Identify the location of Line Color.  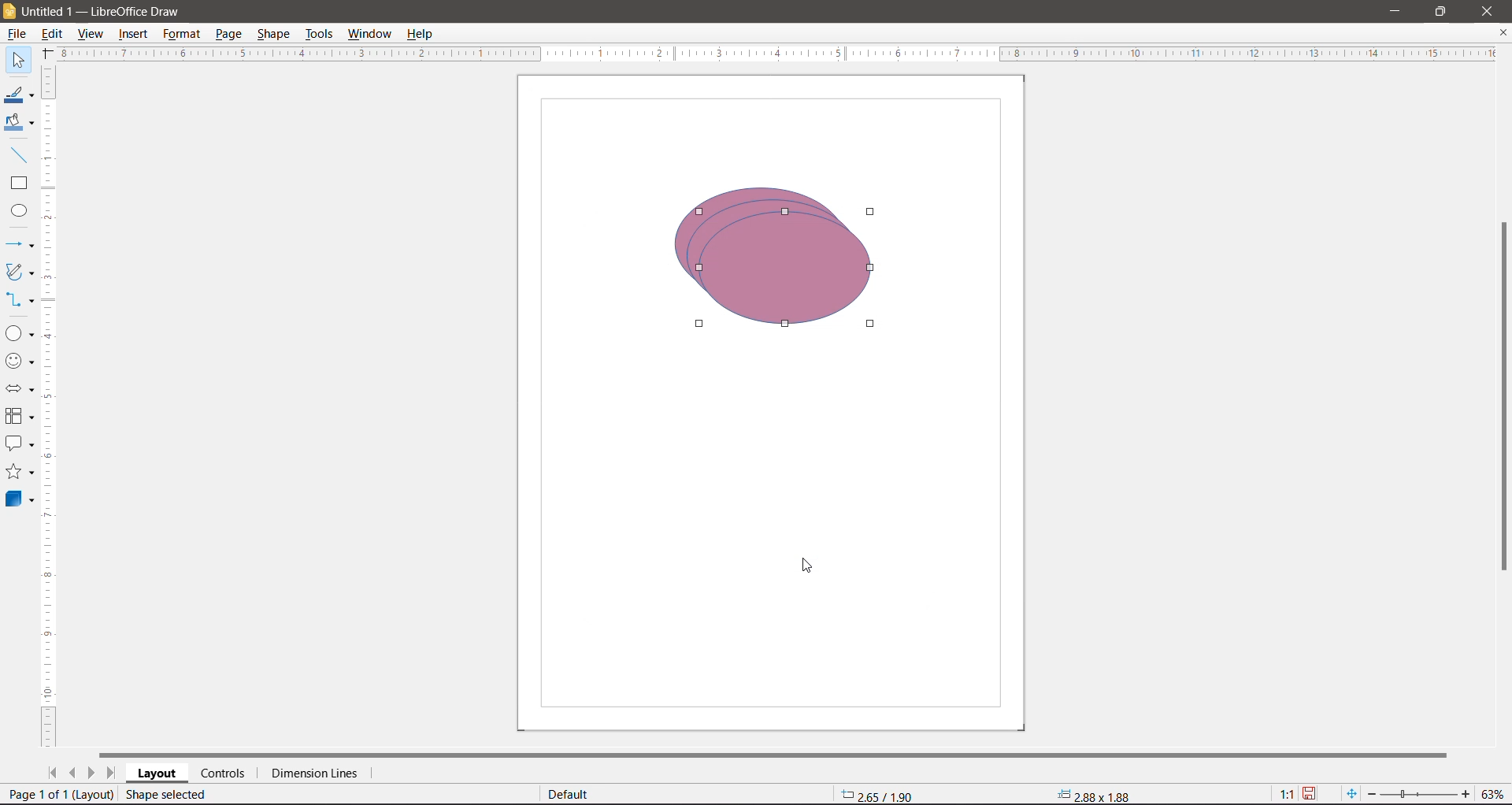
(20, 93).